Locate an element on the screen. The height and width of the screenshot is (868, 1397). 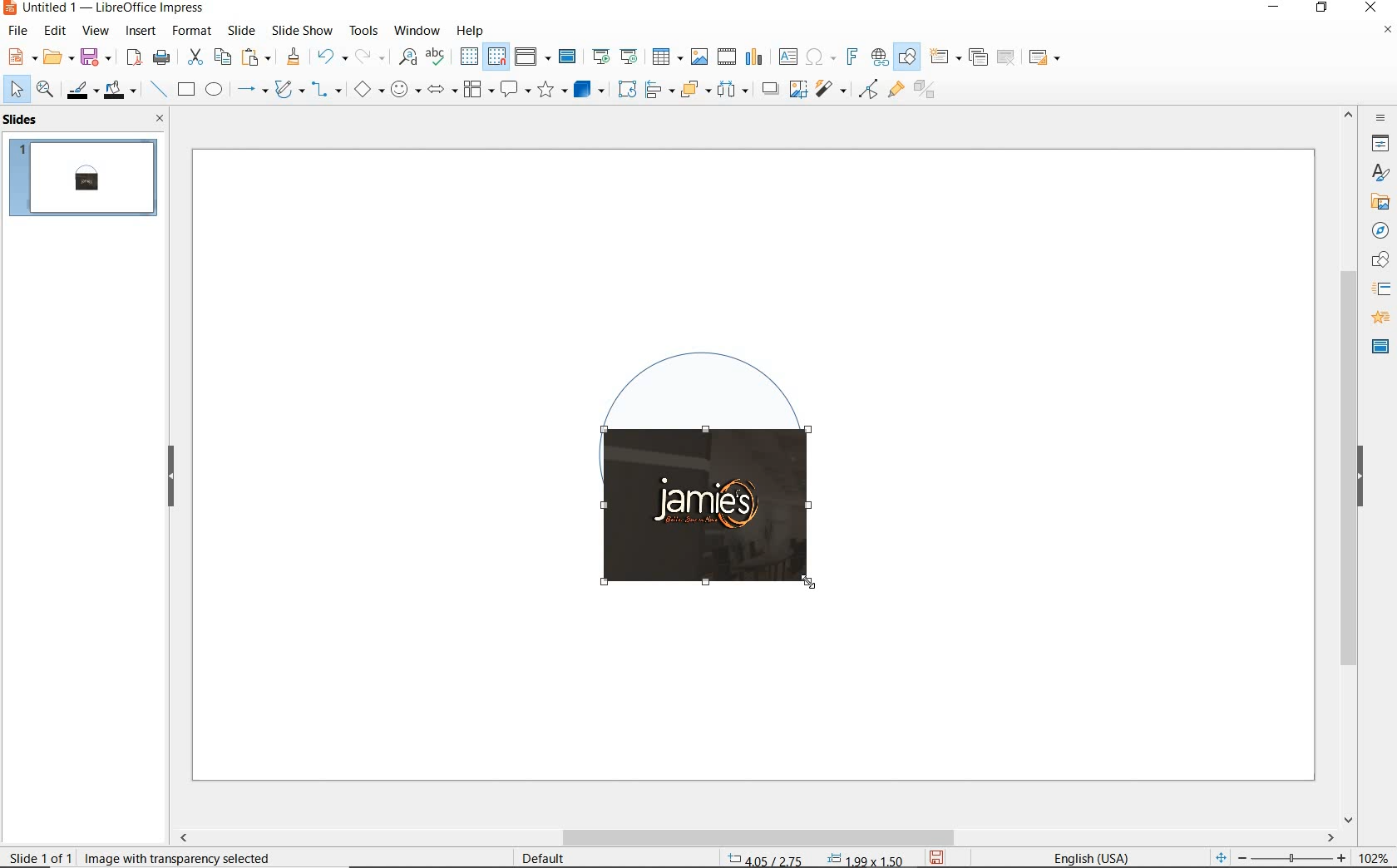
select is located at coordinates (17, 90).